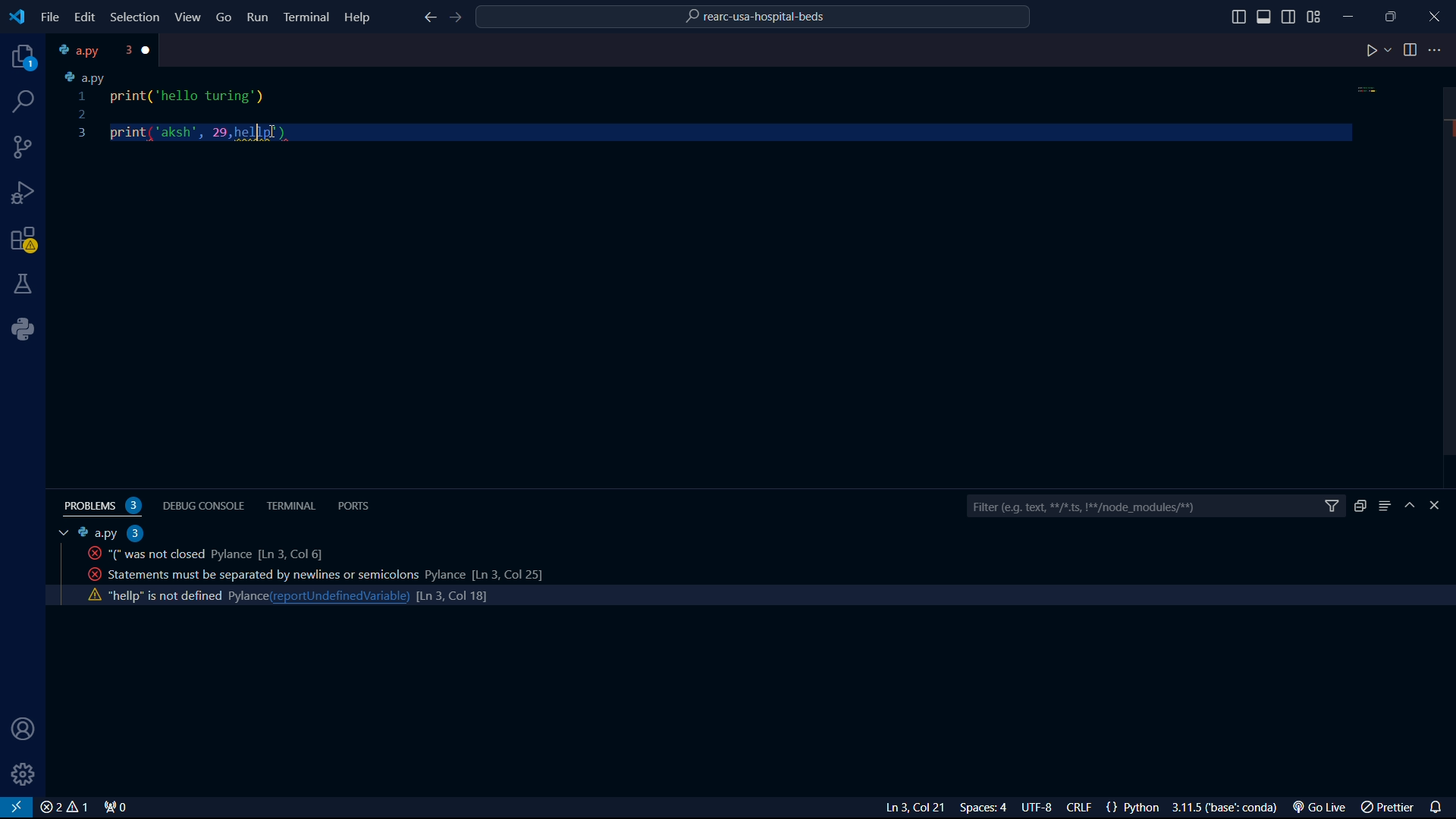 This screenshot has width=1456, height=819. Describe the element at coordinates (428, 19) in the screenshot. I see `back` at that location.